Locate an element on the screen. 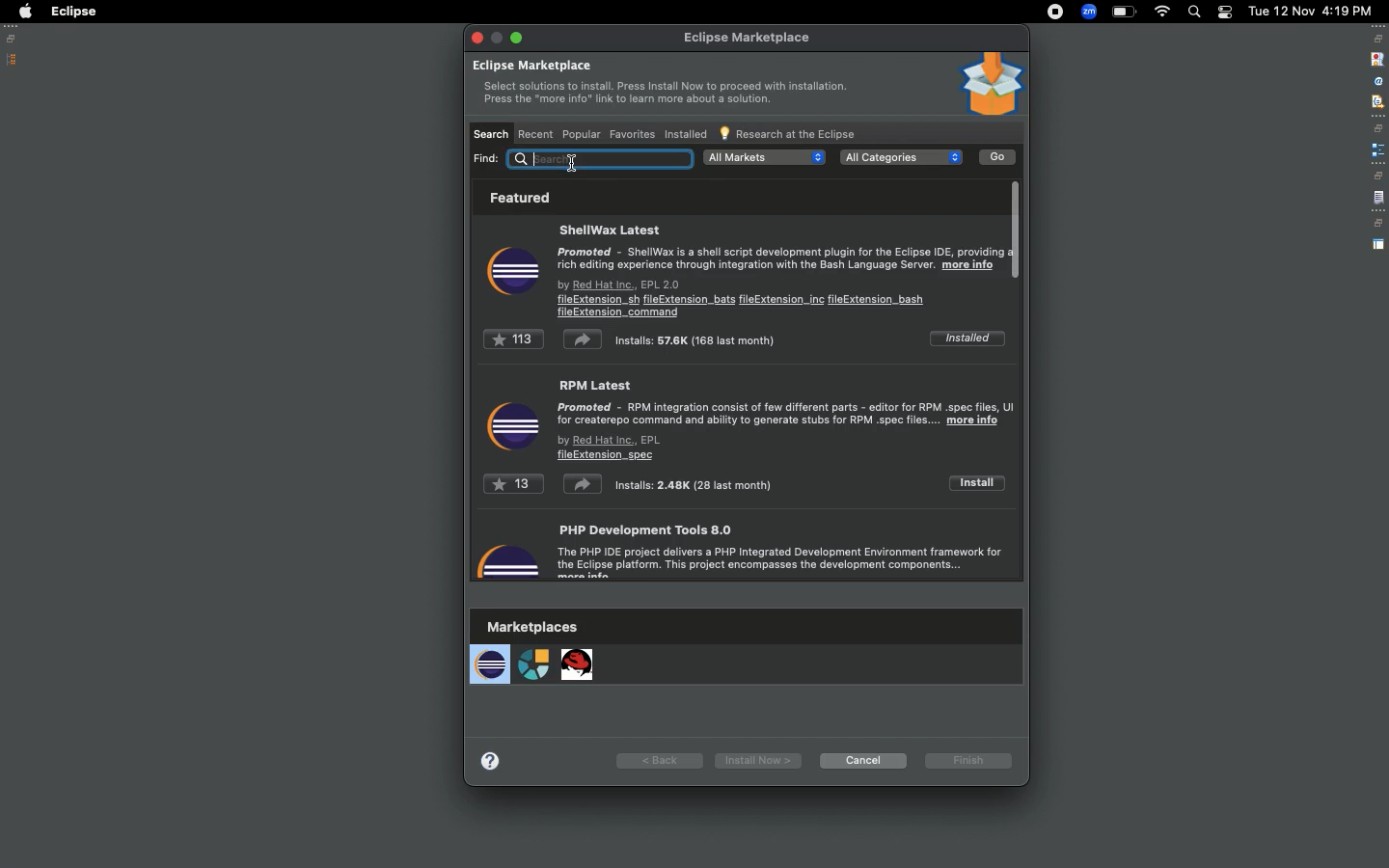  Eclipse marketplace is located at coordinates (659, 86).